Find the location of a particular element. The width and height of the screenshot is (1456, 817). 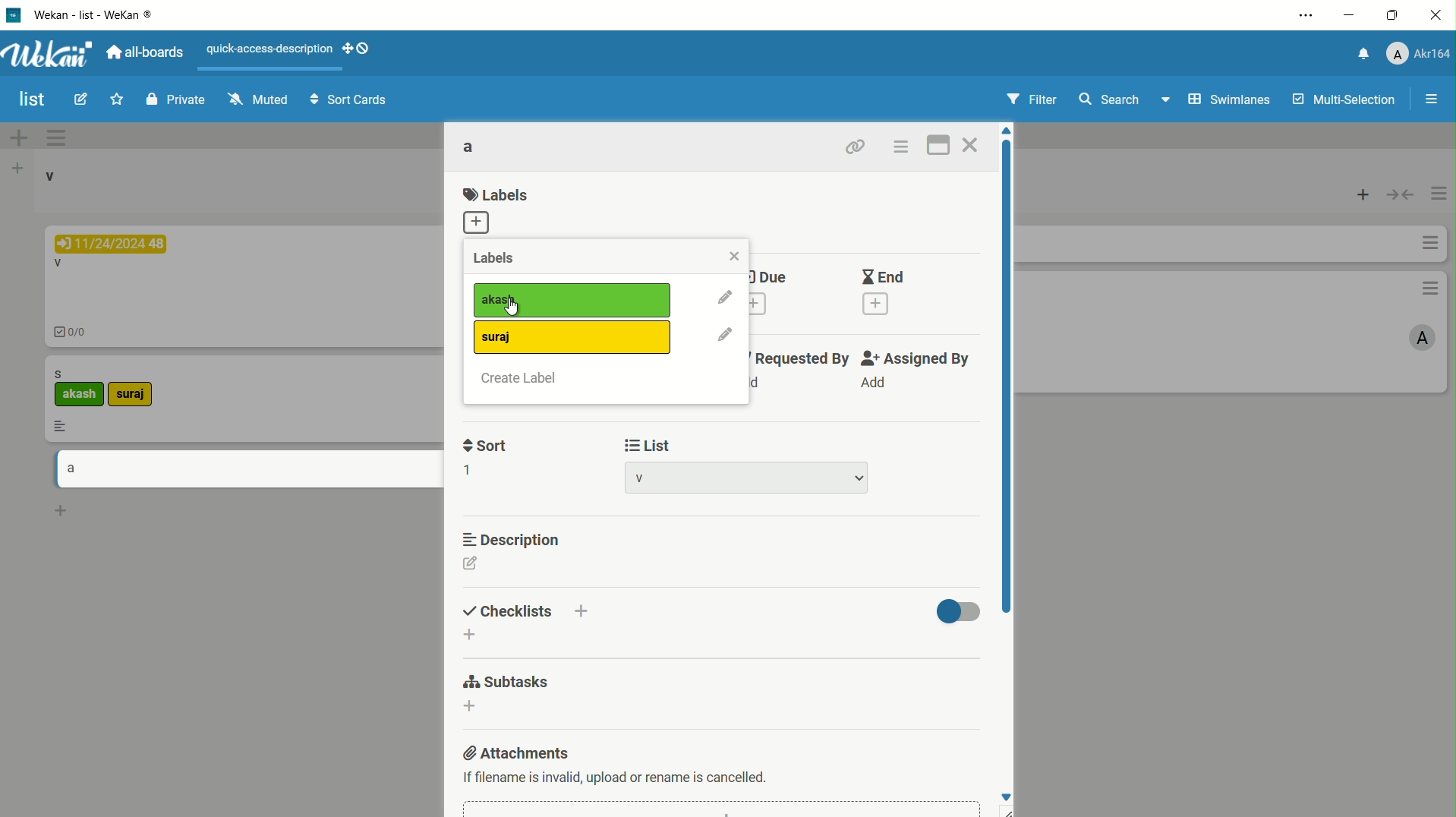

app logo is located at coordinates (49, 52).